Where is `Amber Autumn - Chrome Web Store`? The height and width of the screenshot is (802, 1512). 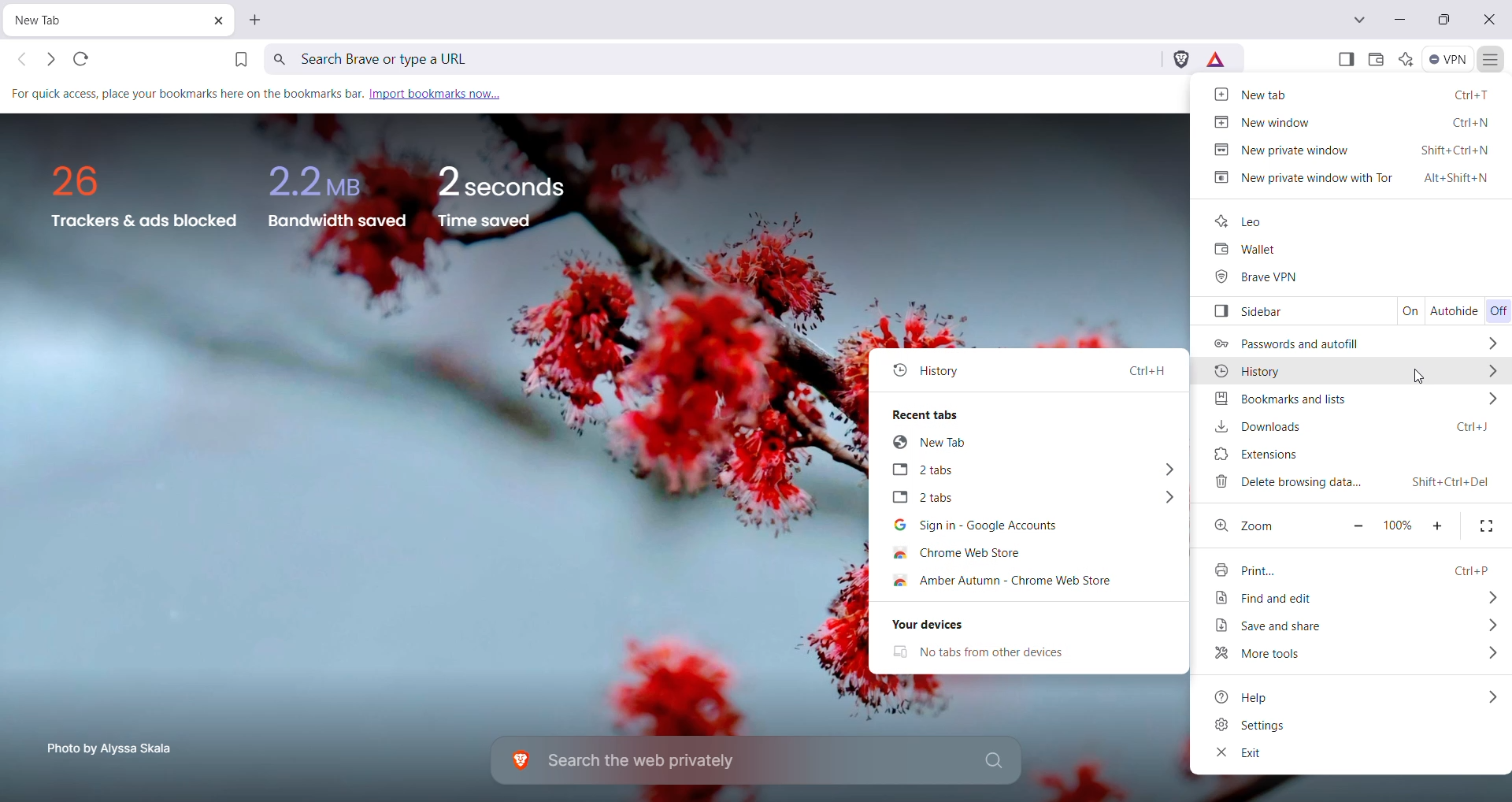 Amber Autumn - Chrome Web Store is located at coordinates (1026, 582).